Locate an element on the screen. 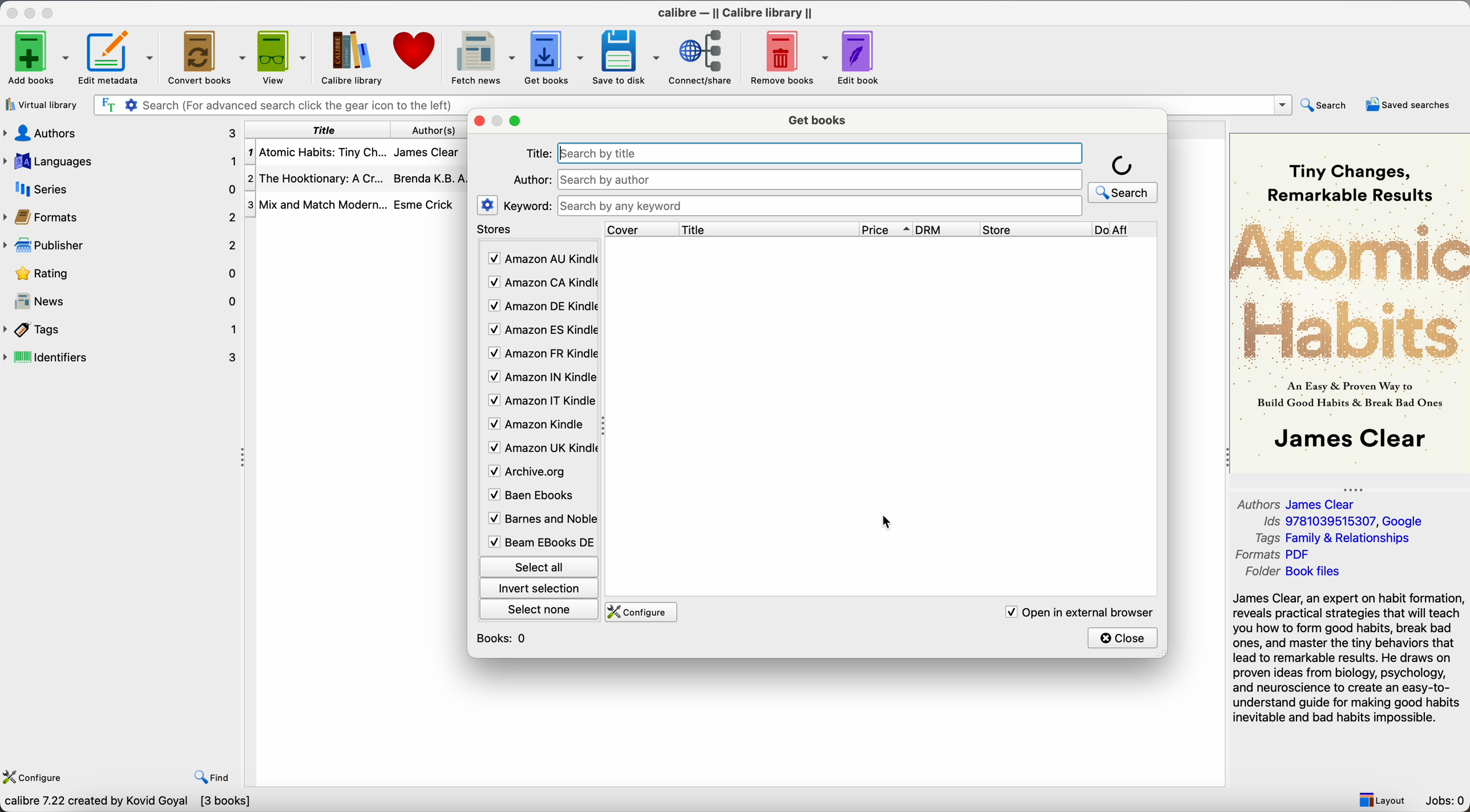  maximize is located at coordinates (515, 123).